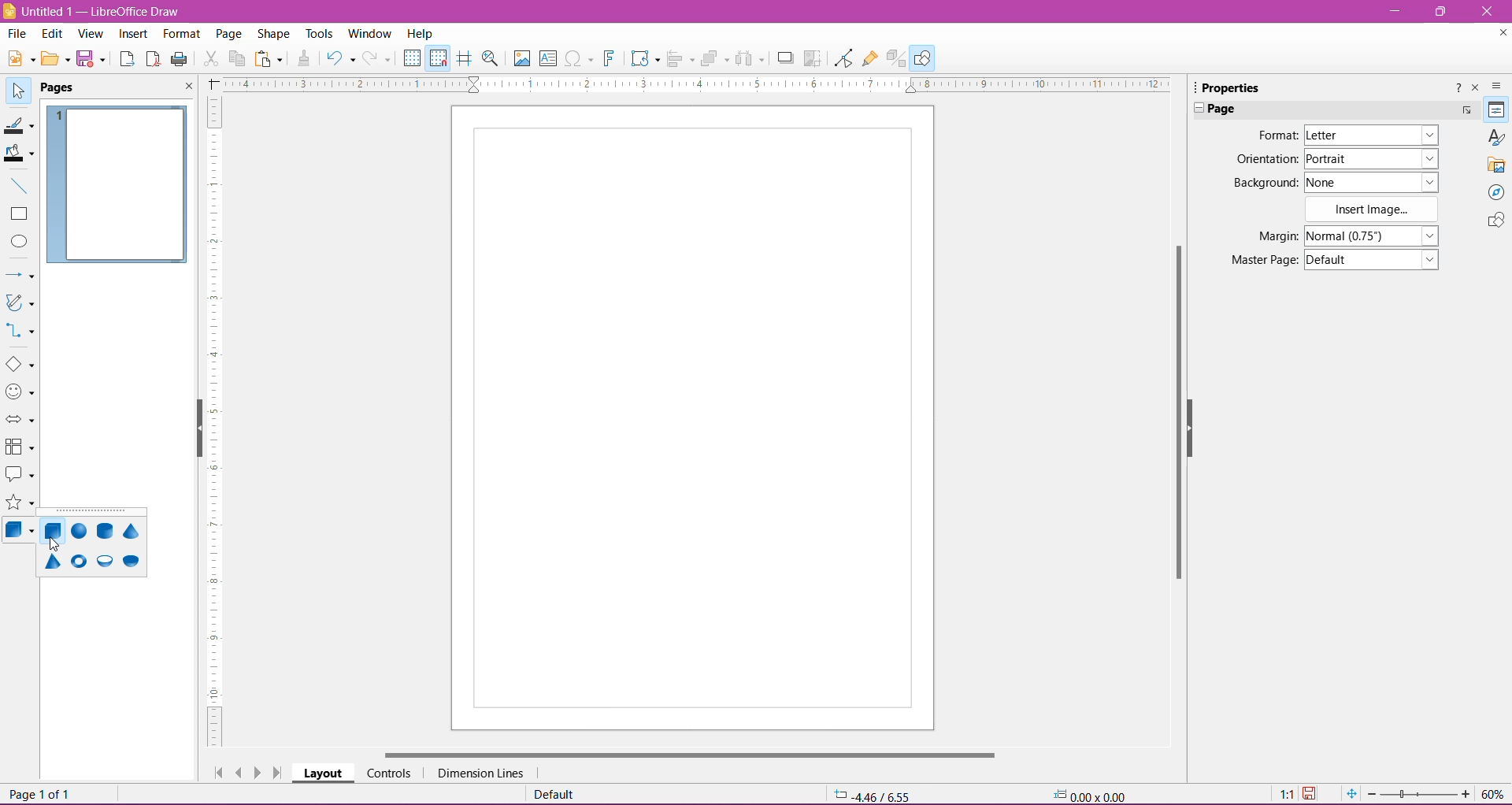 Image resolution: width=1512 pixels, height=805 pixels. What do you see at coordinates (714, 58) in the screenshot?
I see `Arrange` at bounding box center [714, 58].